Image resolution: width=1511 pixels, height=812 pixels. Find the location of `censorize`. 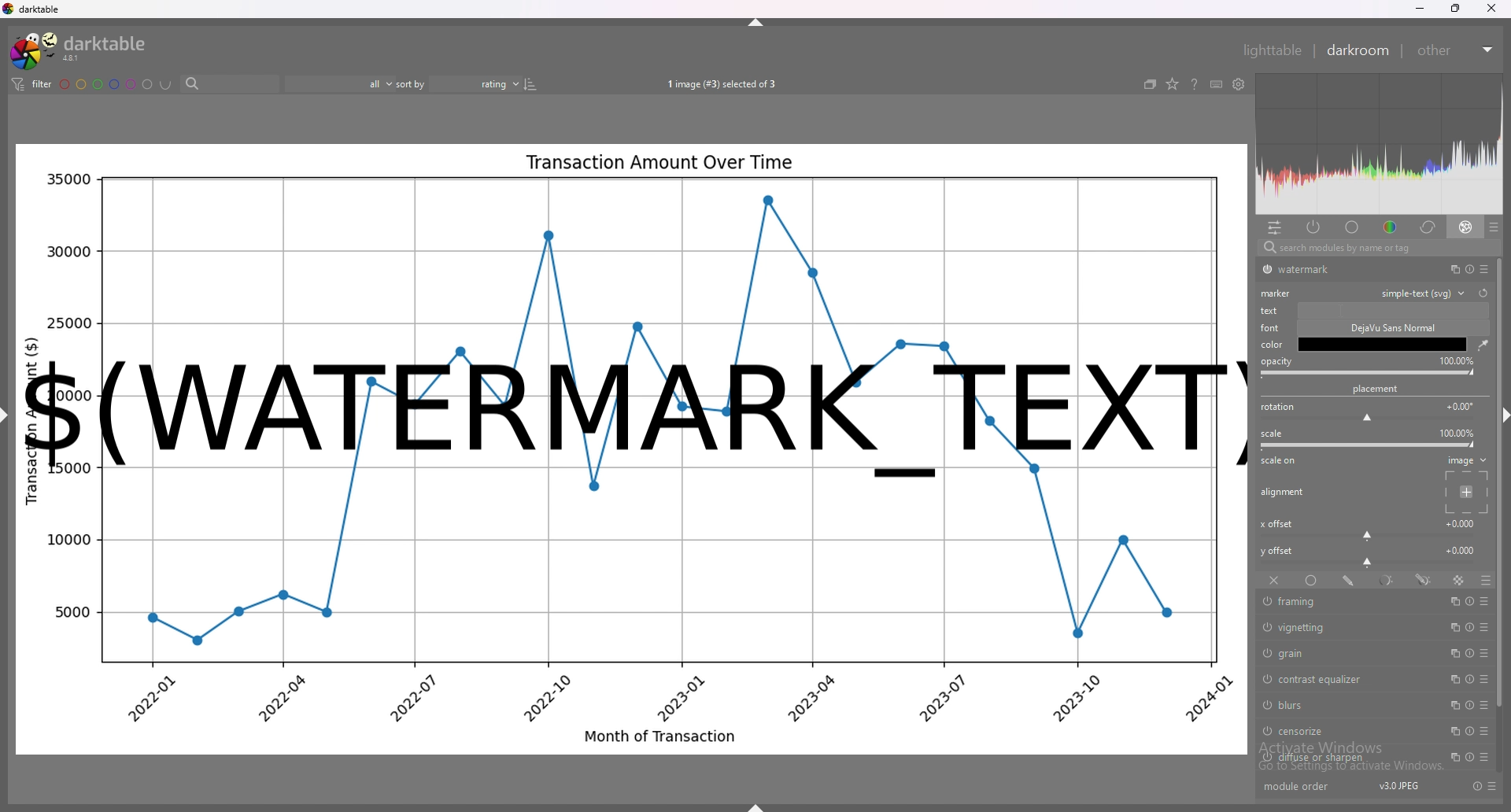

censorize is located at coordinates (1339, 730).